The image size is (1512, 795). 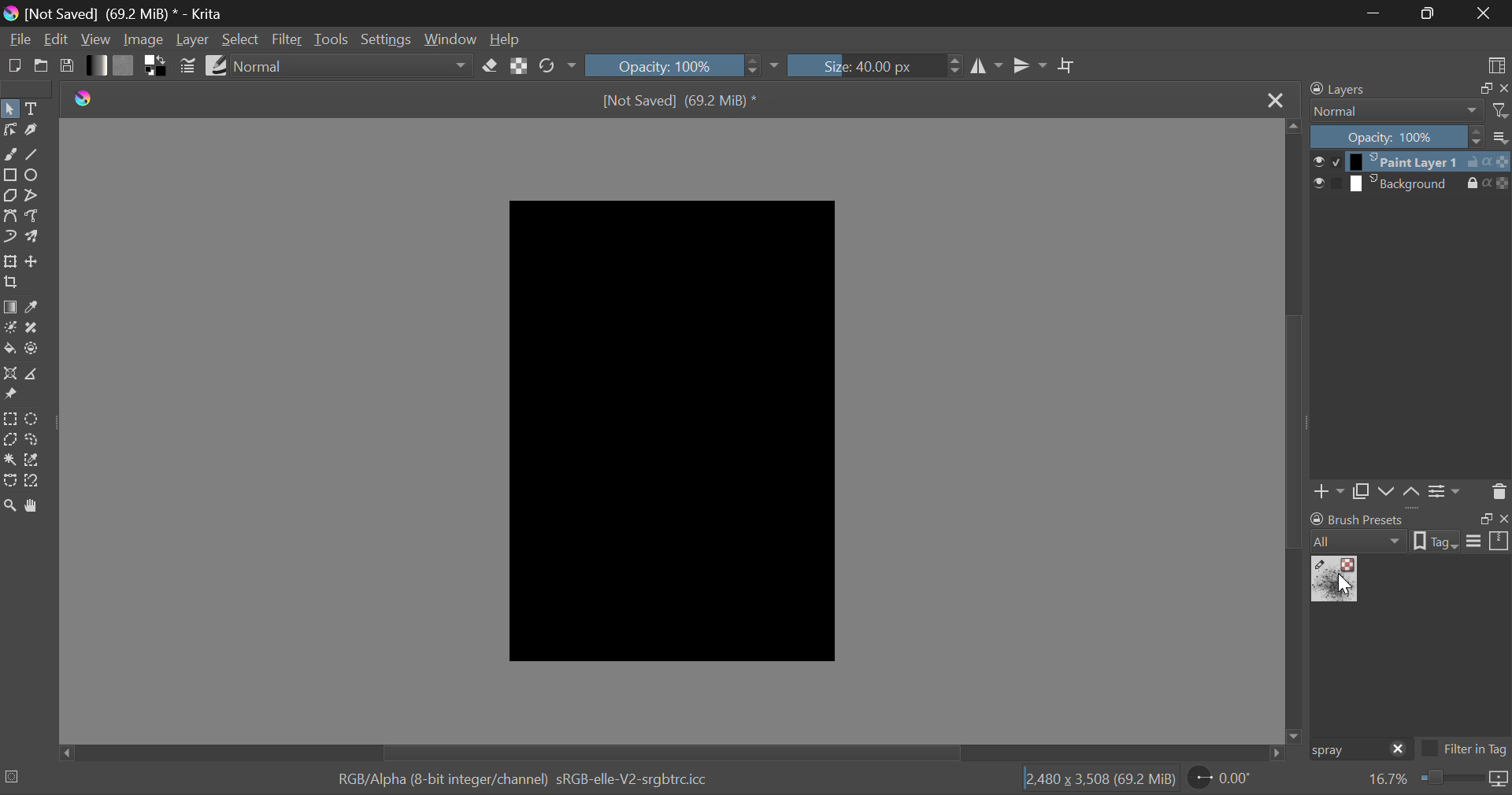 What do you see at coordinates (14, 65) in the screenshot?
I see `New` at bounding box center [14, 65].